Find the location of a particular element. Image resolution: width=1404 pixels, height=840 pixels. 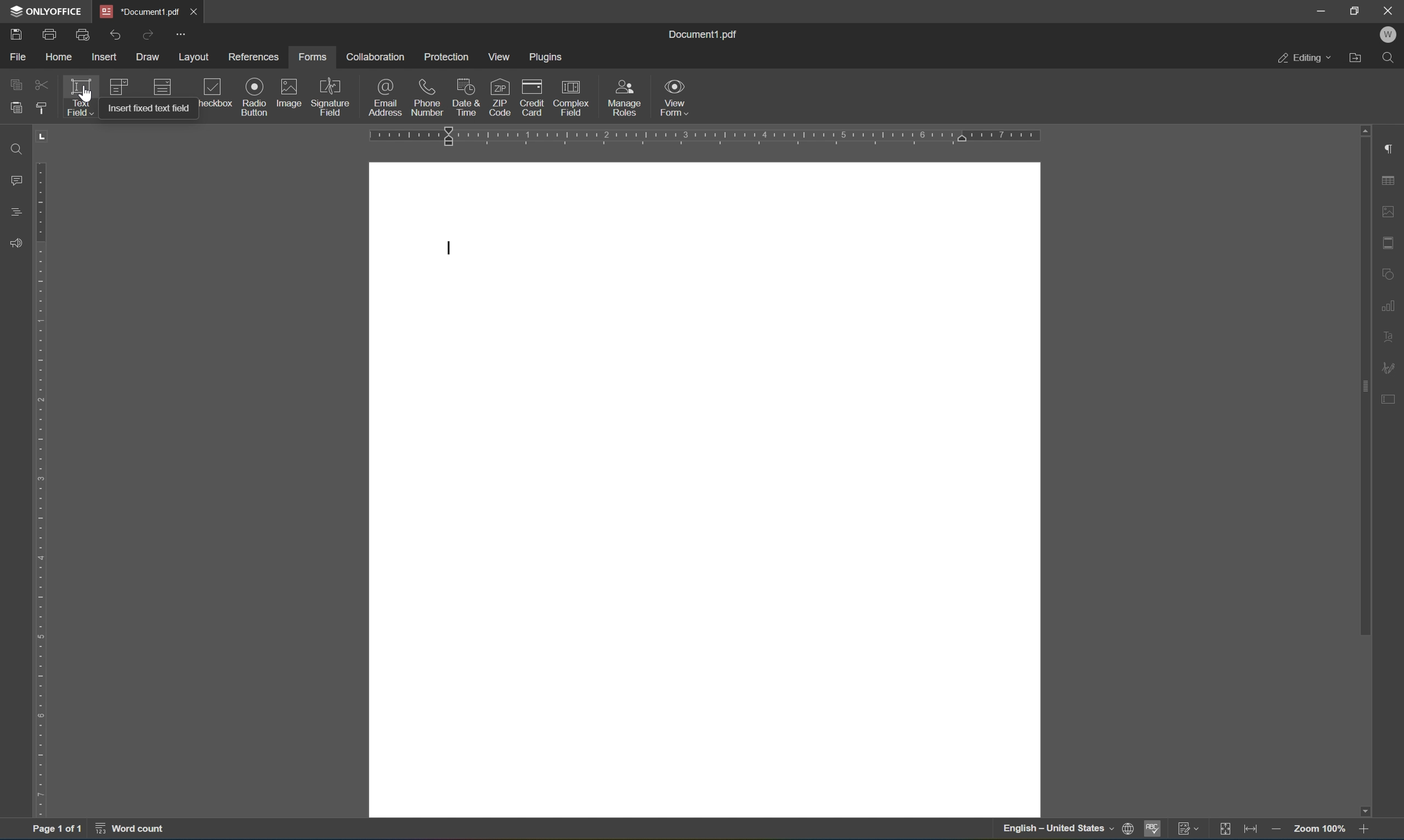

scroll down is located at coordinates (1362, 812).